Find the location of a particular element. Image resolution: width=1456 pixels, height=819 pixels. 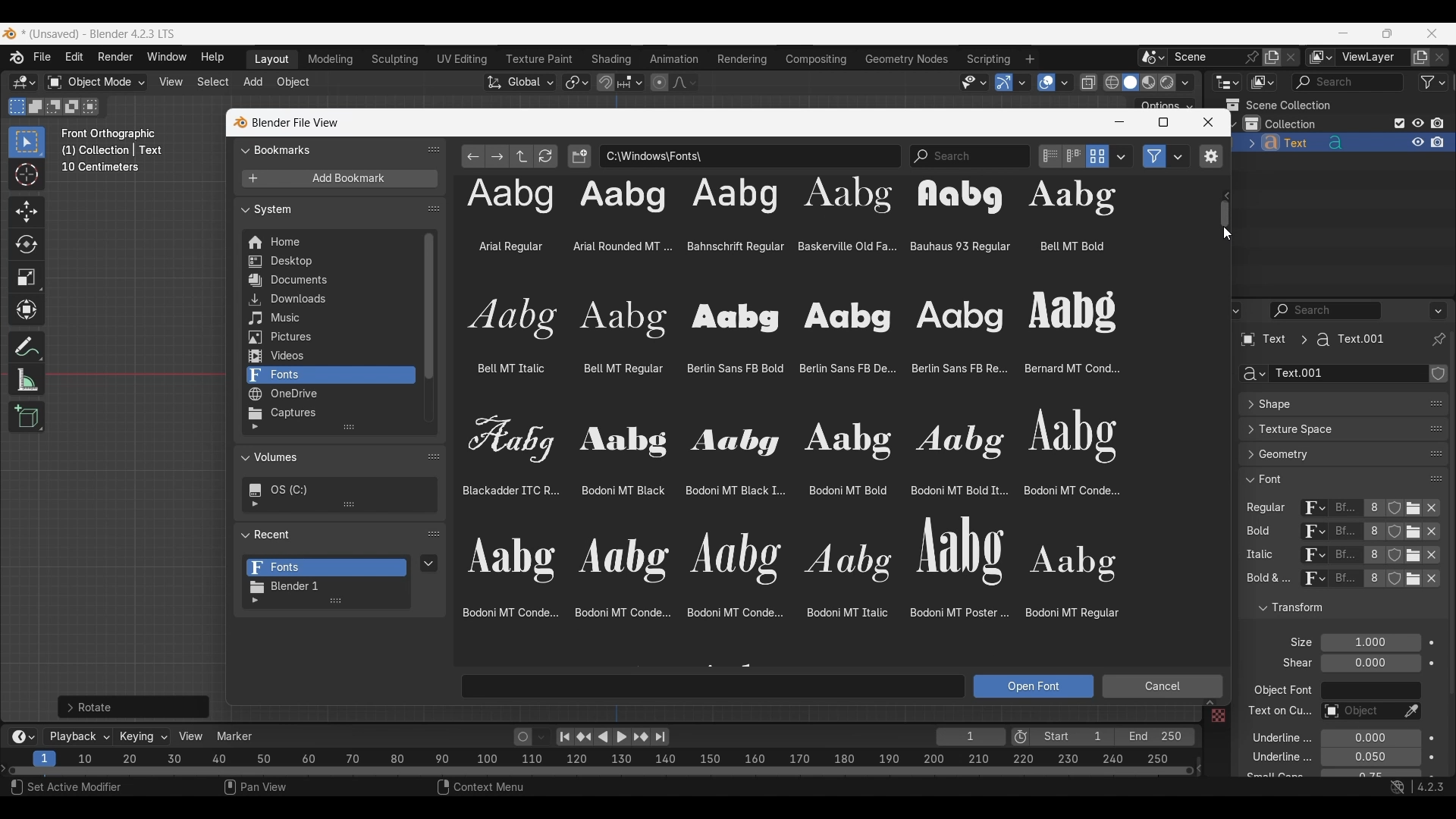

Texture paint workspace is located at coordinates (541, 59).